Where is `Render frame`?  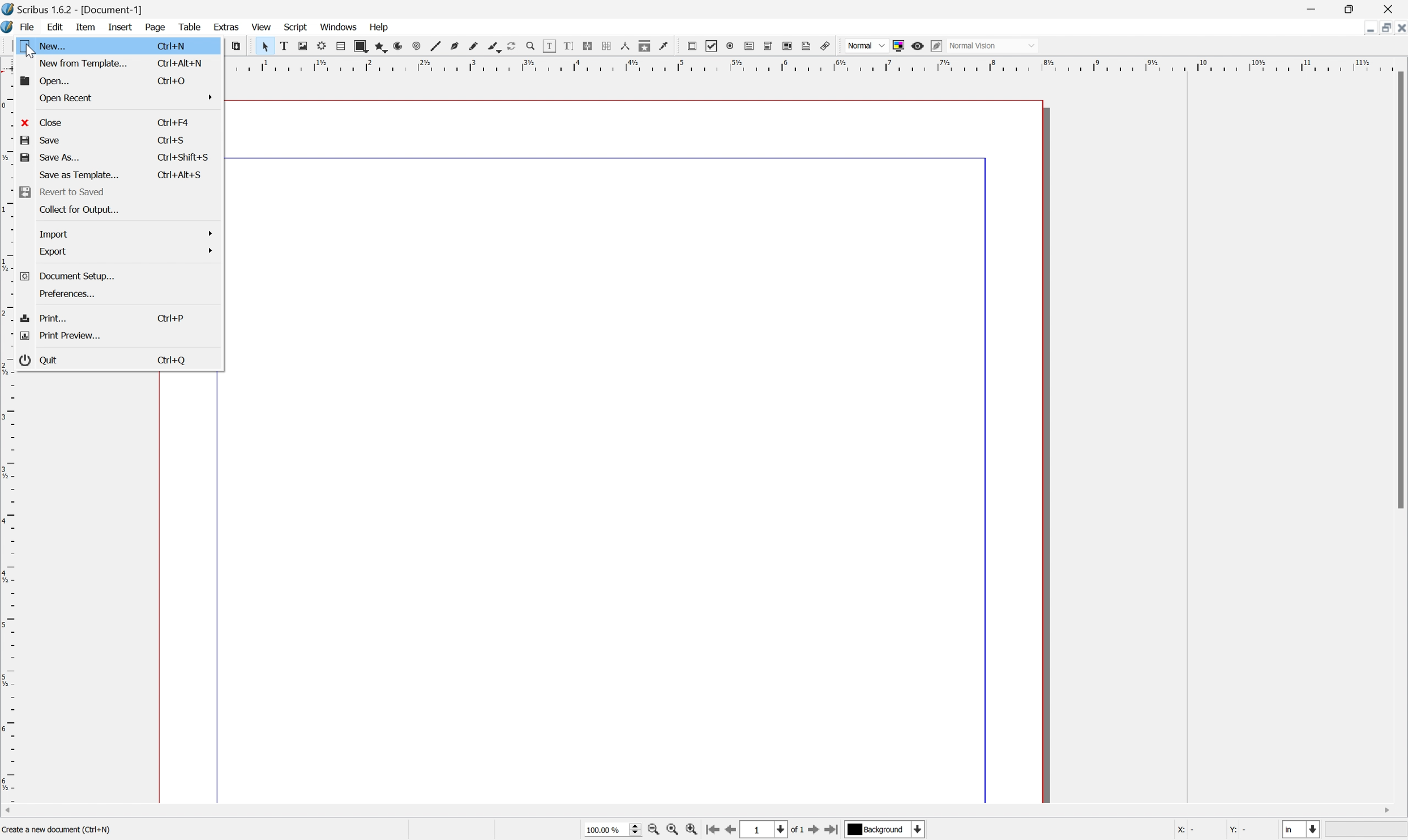 Render frame is located at coordinates (320, 46).